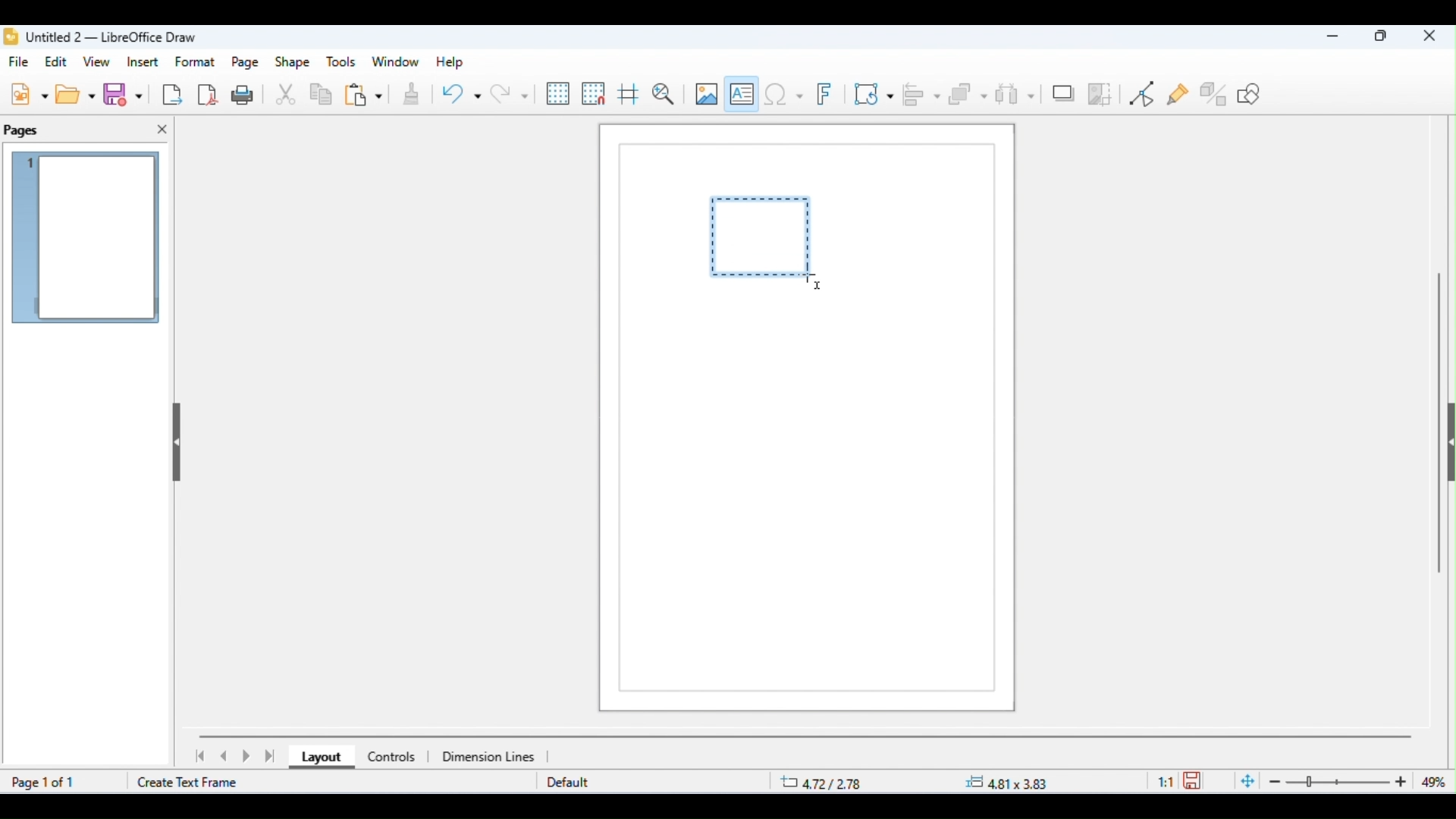 Image resolution: width=1456 pixels, height=819 pixels. I want to click on export, so click(171, 94).